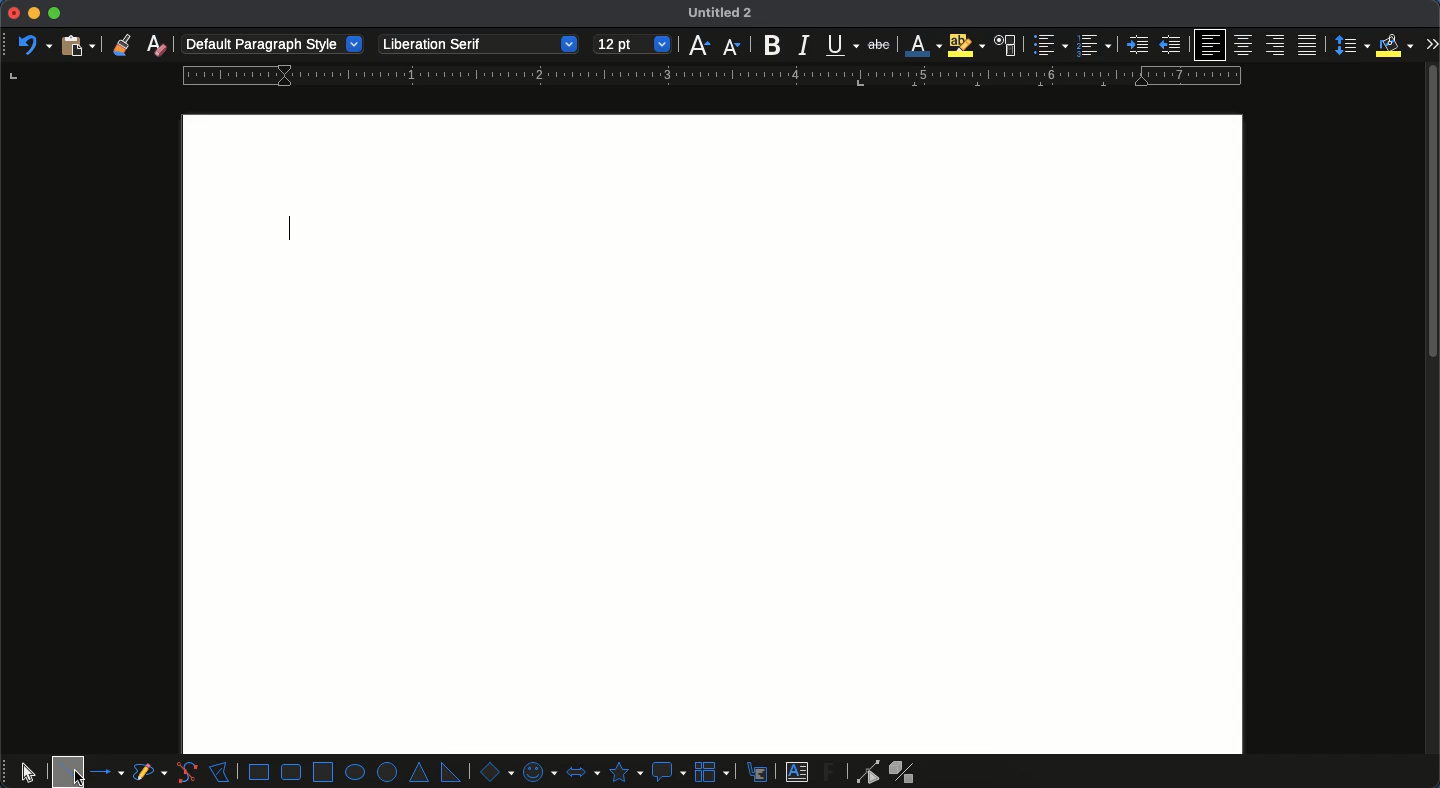 This screenshot has height=788, width=1440. I want to click on block arrows, so click(582, 770).